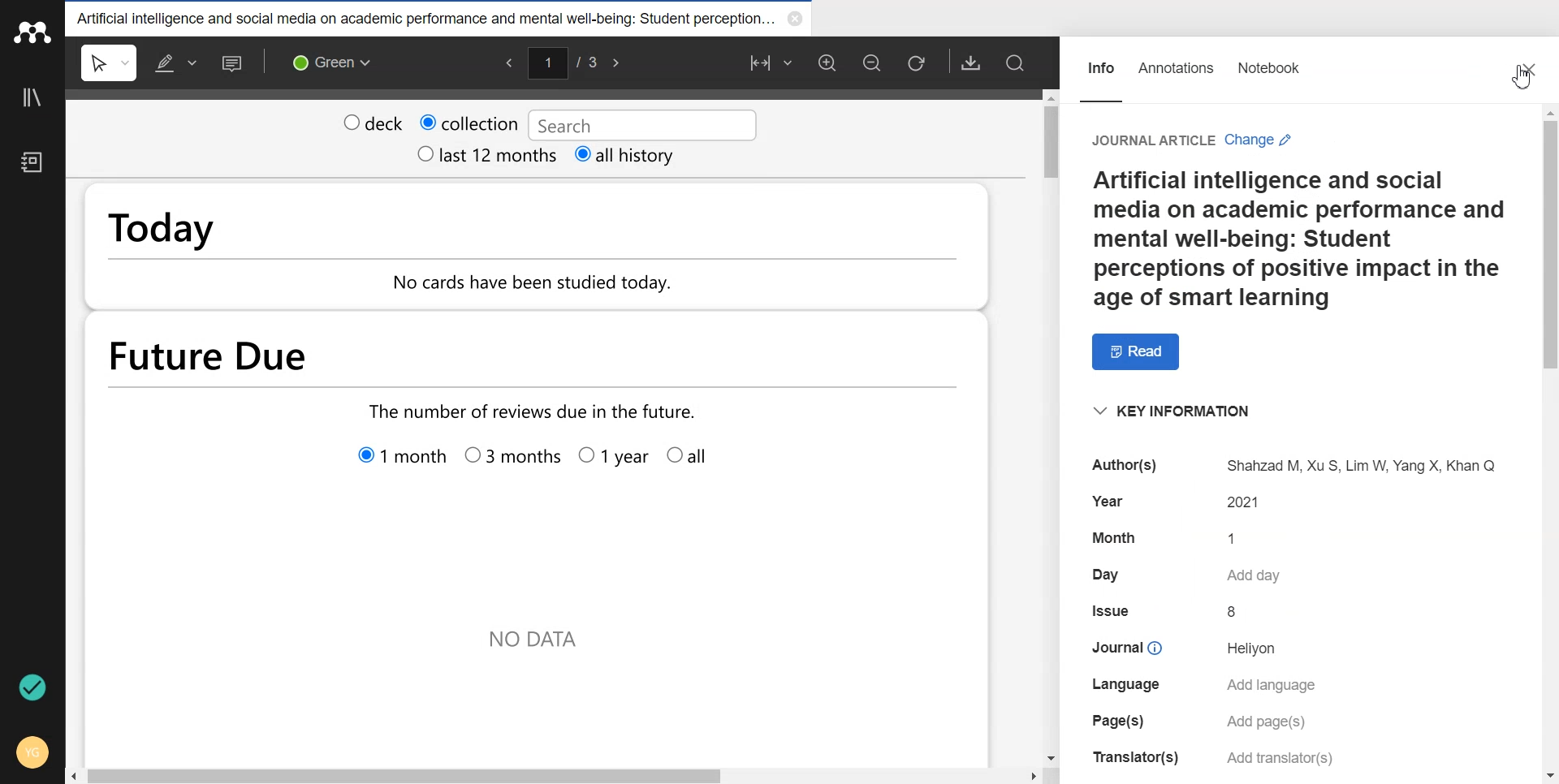 This screenshot has height=784, width=1559. What do you see at coordinates (691, 457) in the screenshot?
I see `all` at bounding box center [691, 457].